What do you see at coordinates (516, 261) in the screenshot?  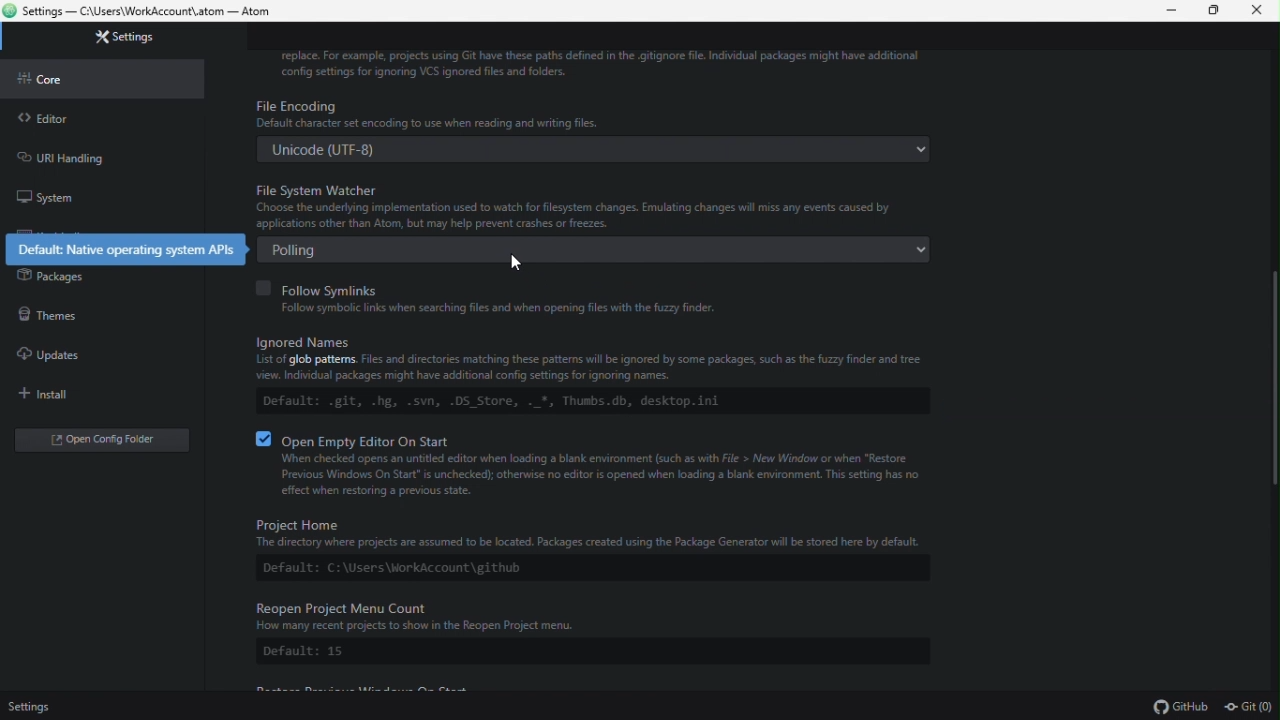 I see `cursor` at bounding box center [516, 261].